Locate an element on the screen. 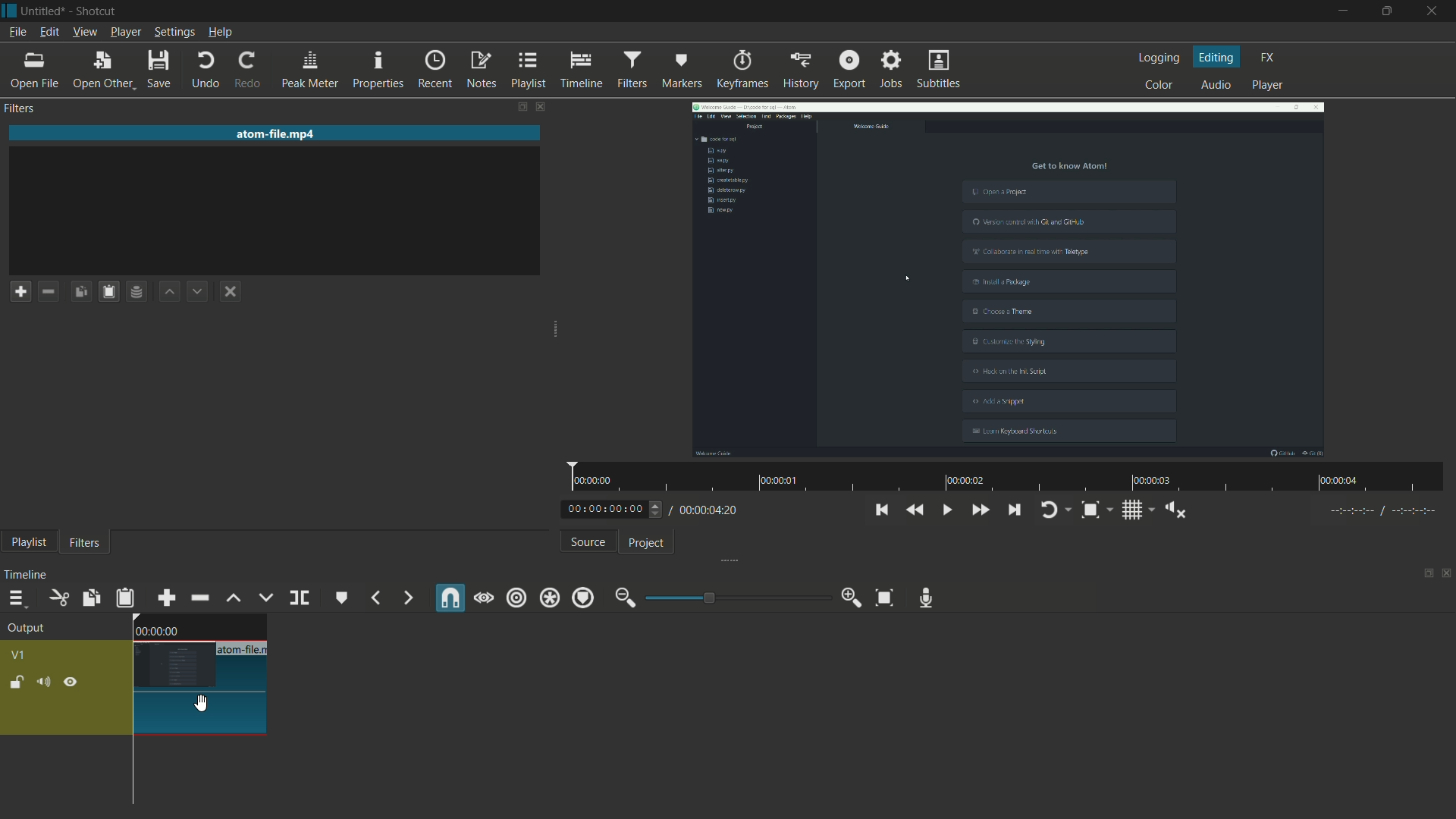  next marker is located at coordinates (406, 598).